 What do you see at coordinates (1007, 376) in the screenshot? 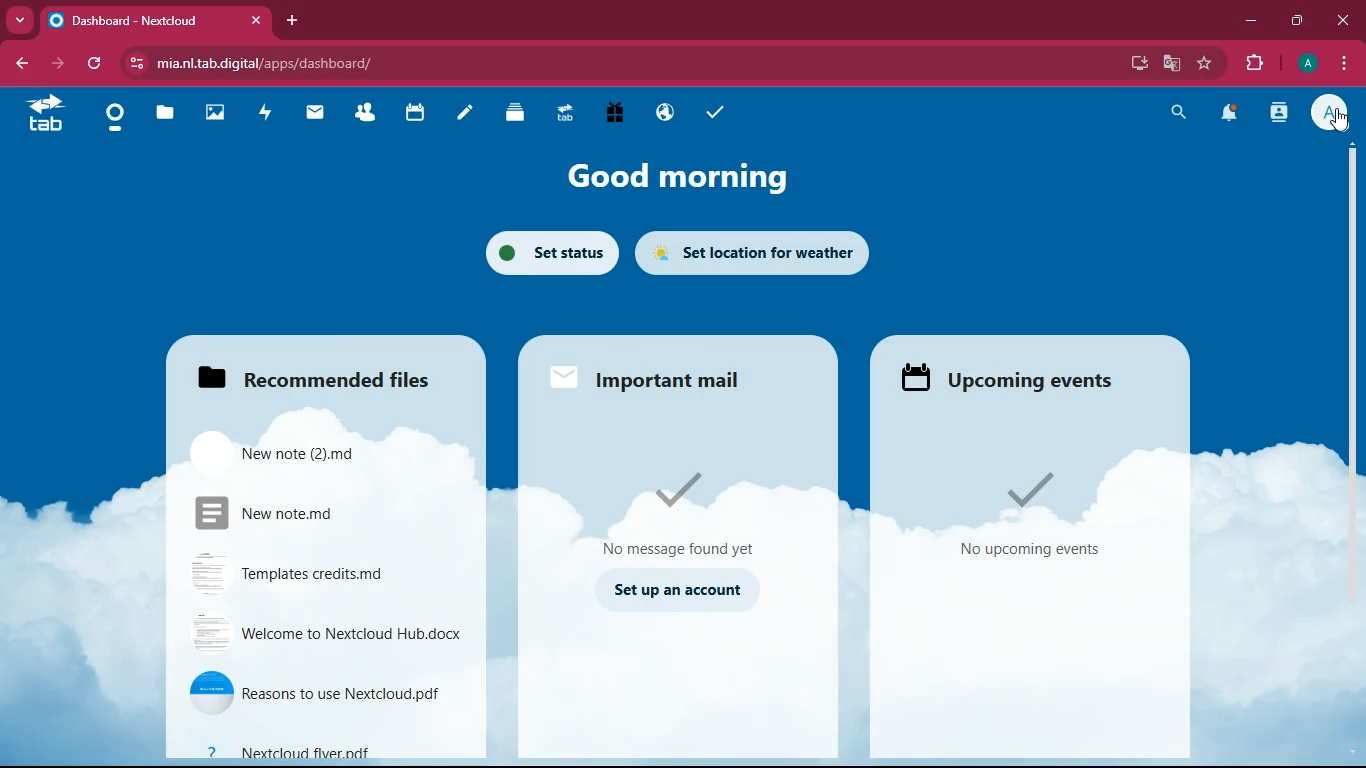
I see `events` at bounding box center [1007, 376].